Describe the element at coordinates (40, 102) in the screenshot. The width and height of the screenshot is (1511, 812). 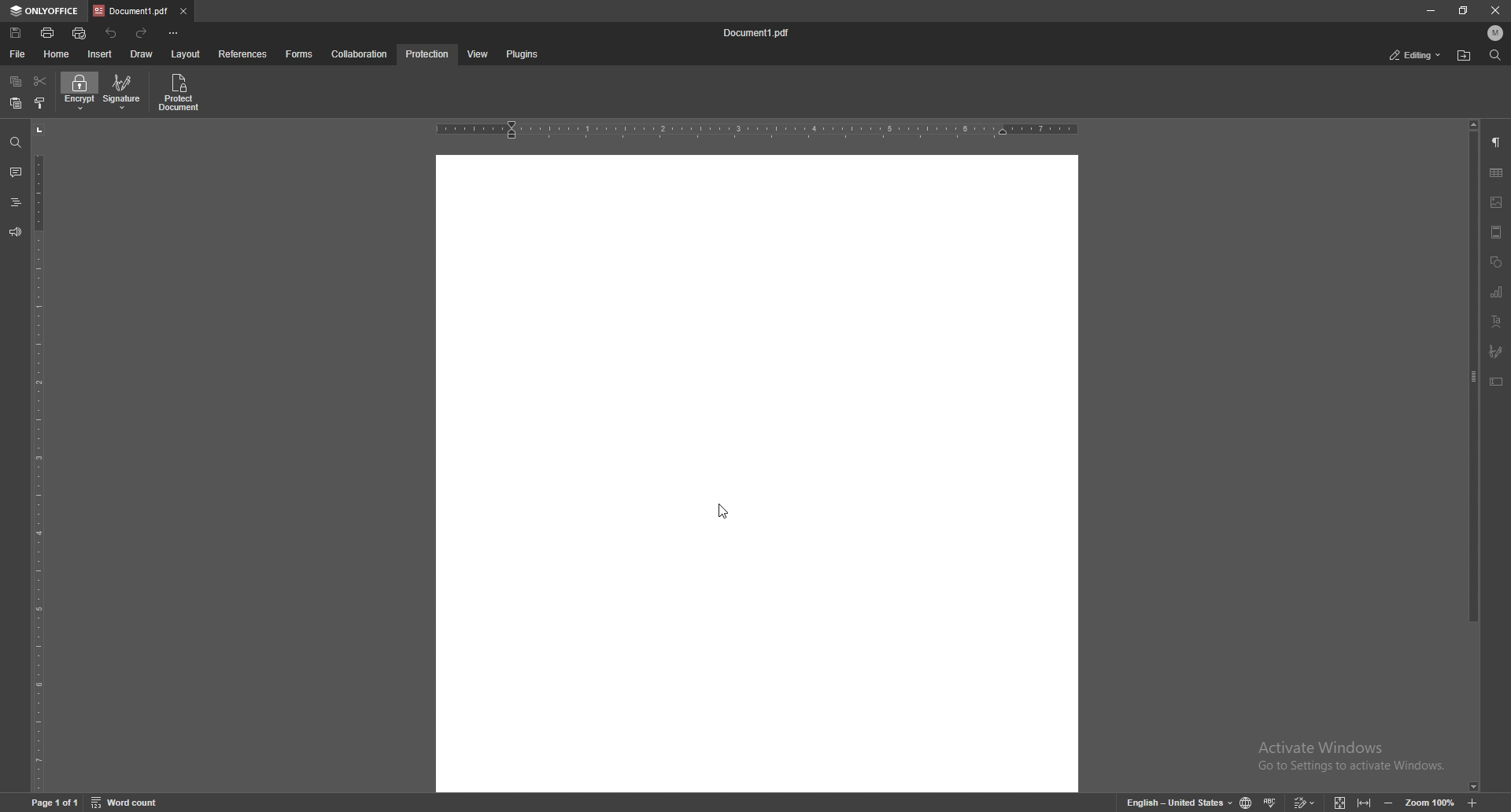
I see `copy style` at that location.